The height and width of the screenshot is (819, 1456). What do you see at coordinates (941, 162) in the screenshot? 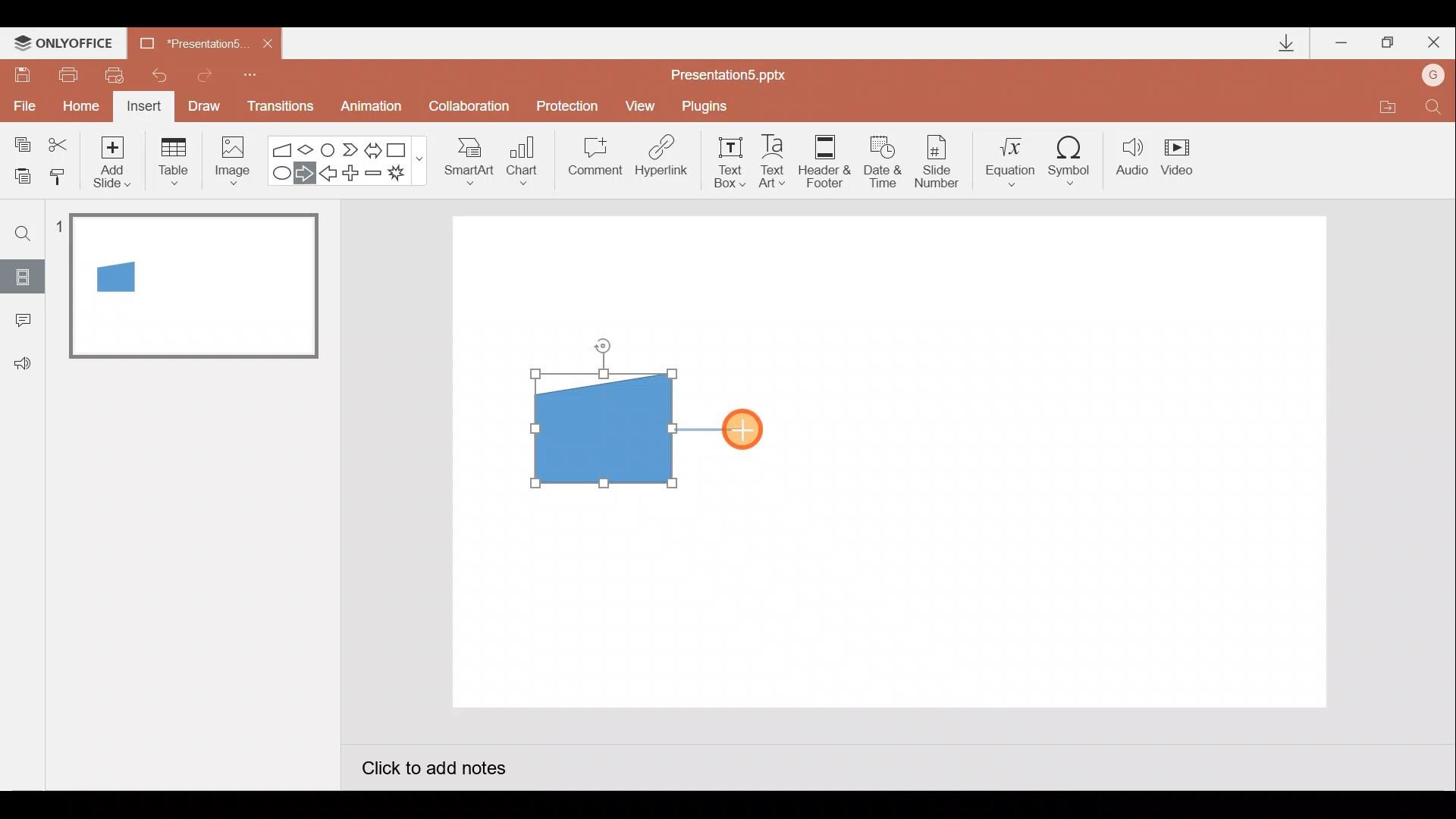
I see `Slide number` at bounding box center [941, 162].